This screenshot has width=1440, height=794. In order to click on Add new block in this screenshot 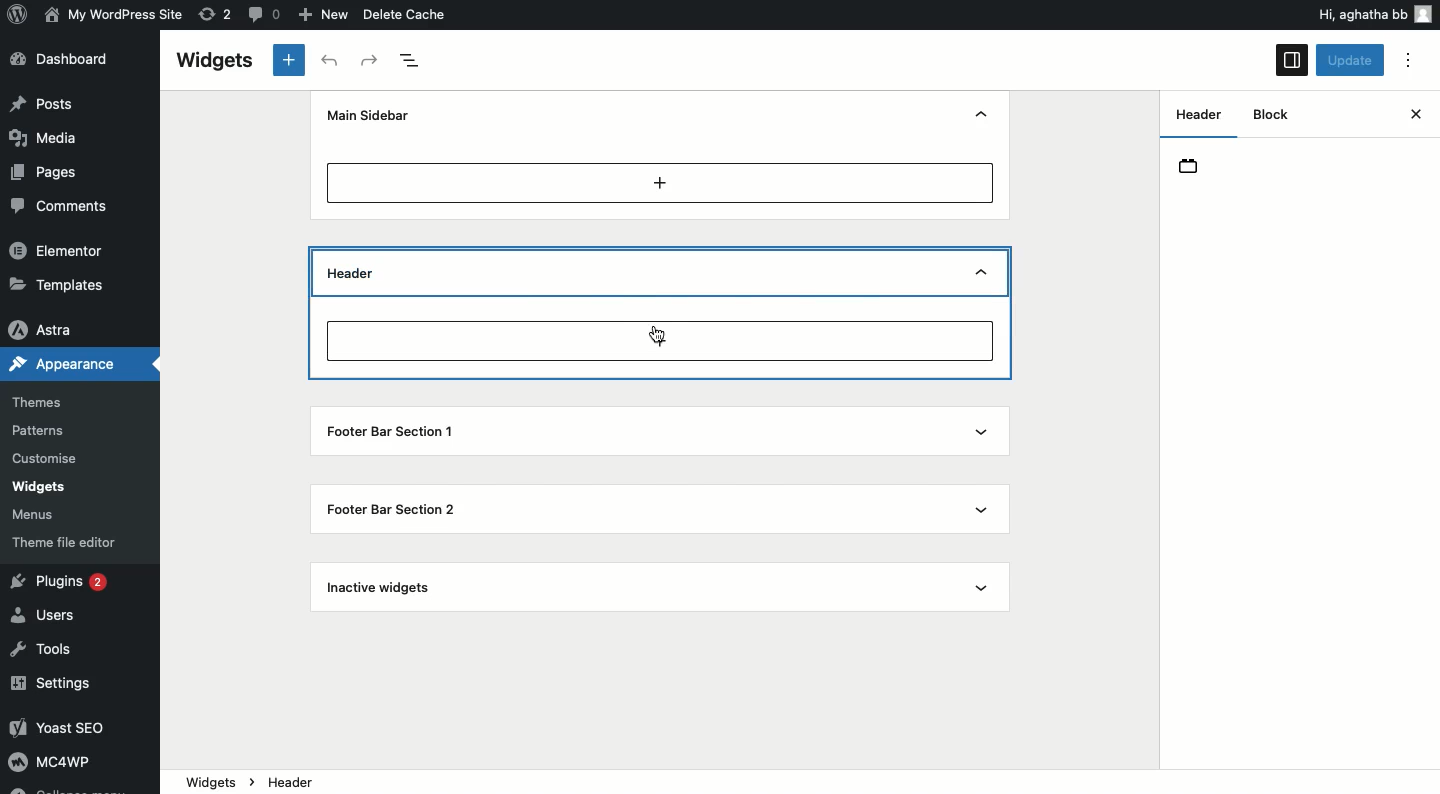, I will do `click(659, 340)`.